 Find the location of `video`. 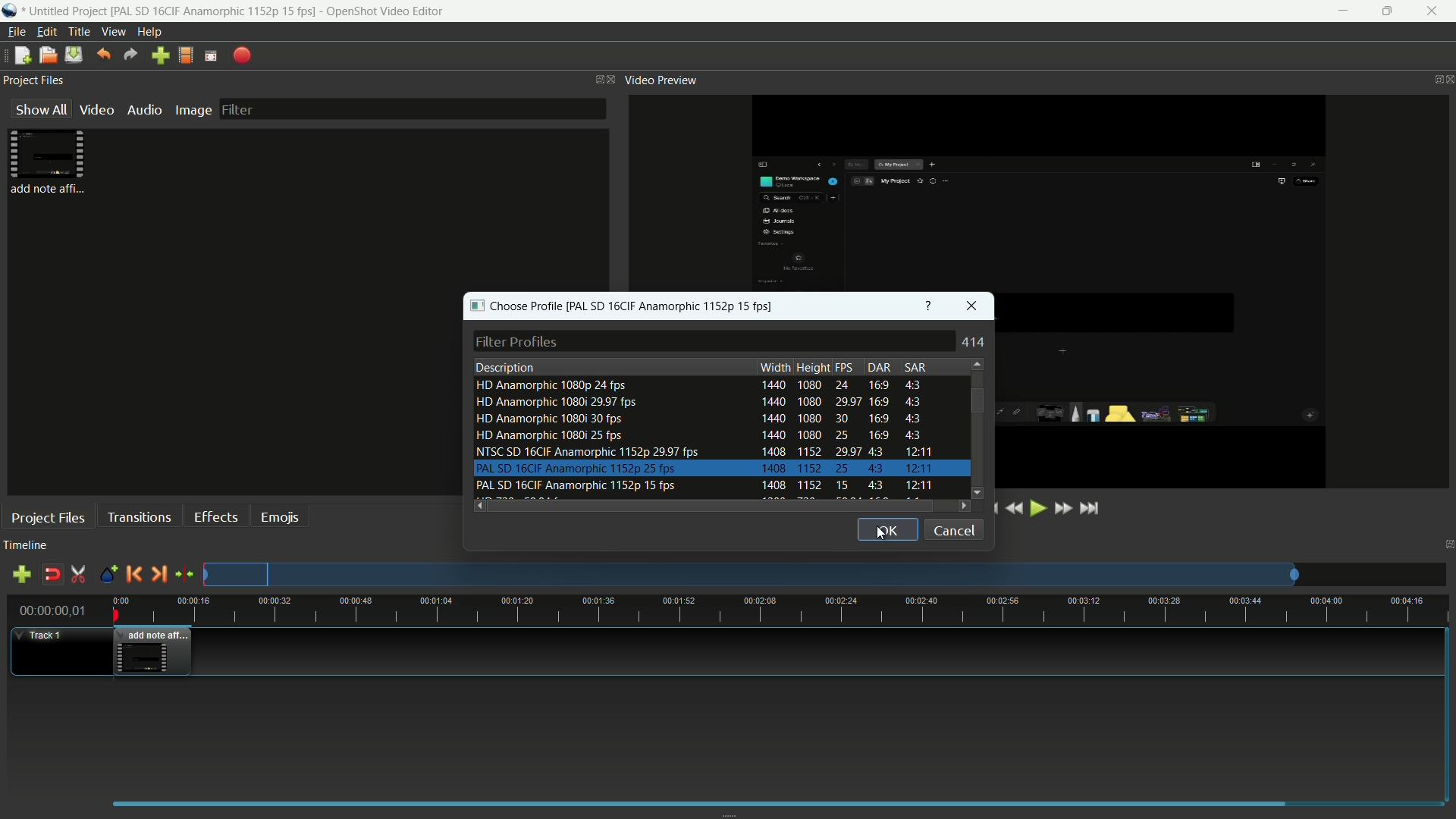

video is located at coordinates (95, 109).